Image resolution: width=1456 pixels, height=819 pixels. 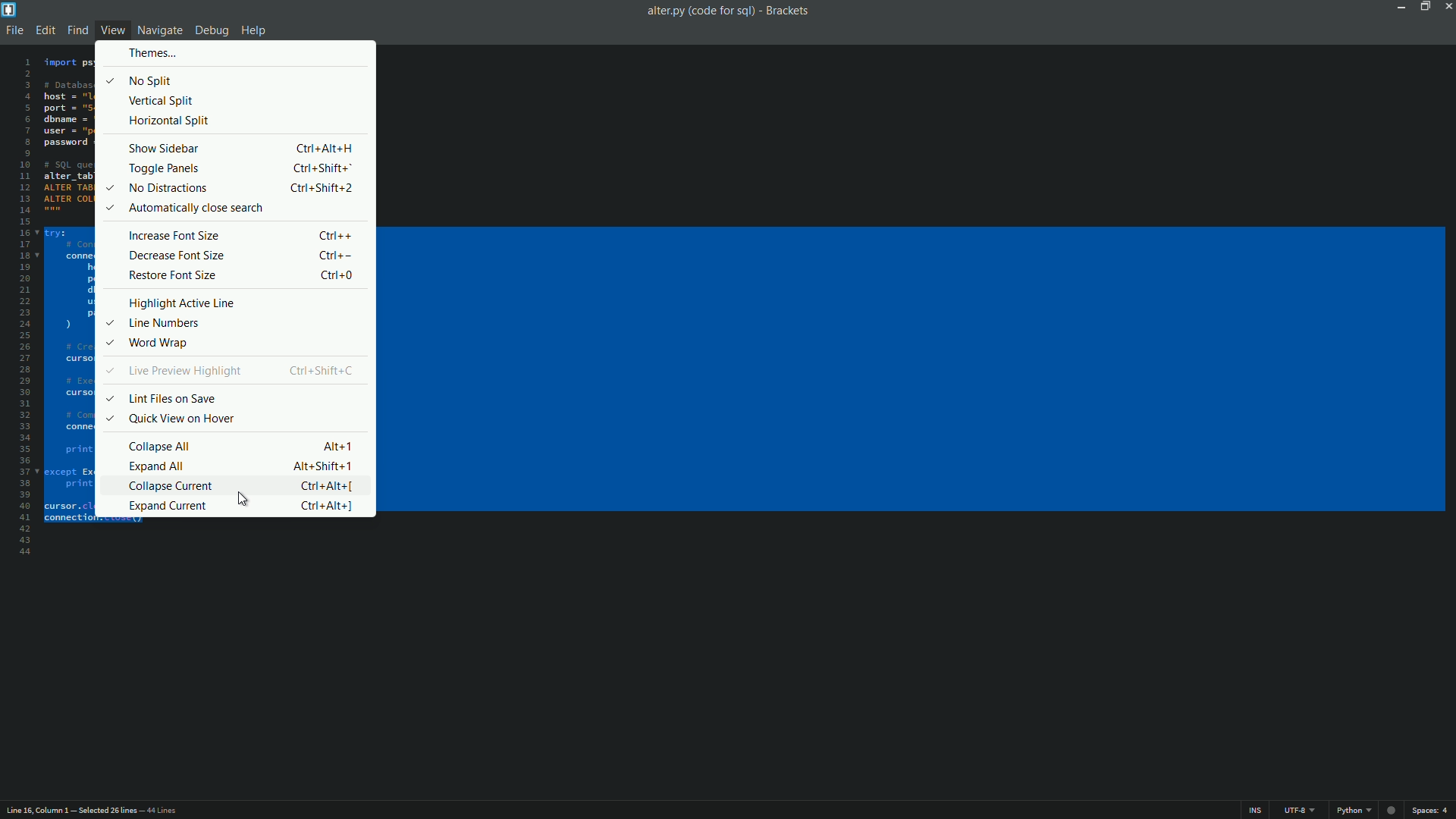 What do you see at coordinates (135, 812) in the screenshot?
I see `number of lines` at bounding box center [135, 812].